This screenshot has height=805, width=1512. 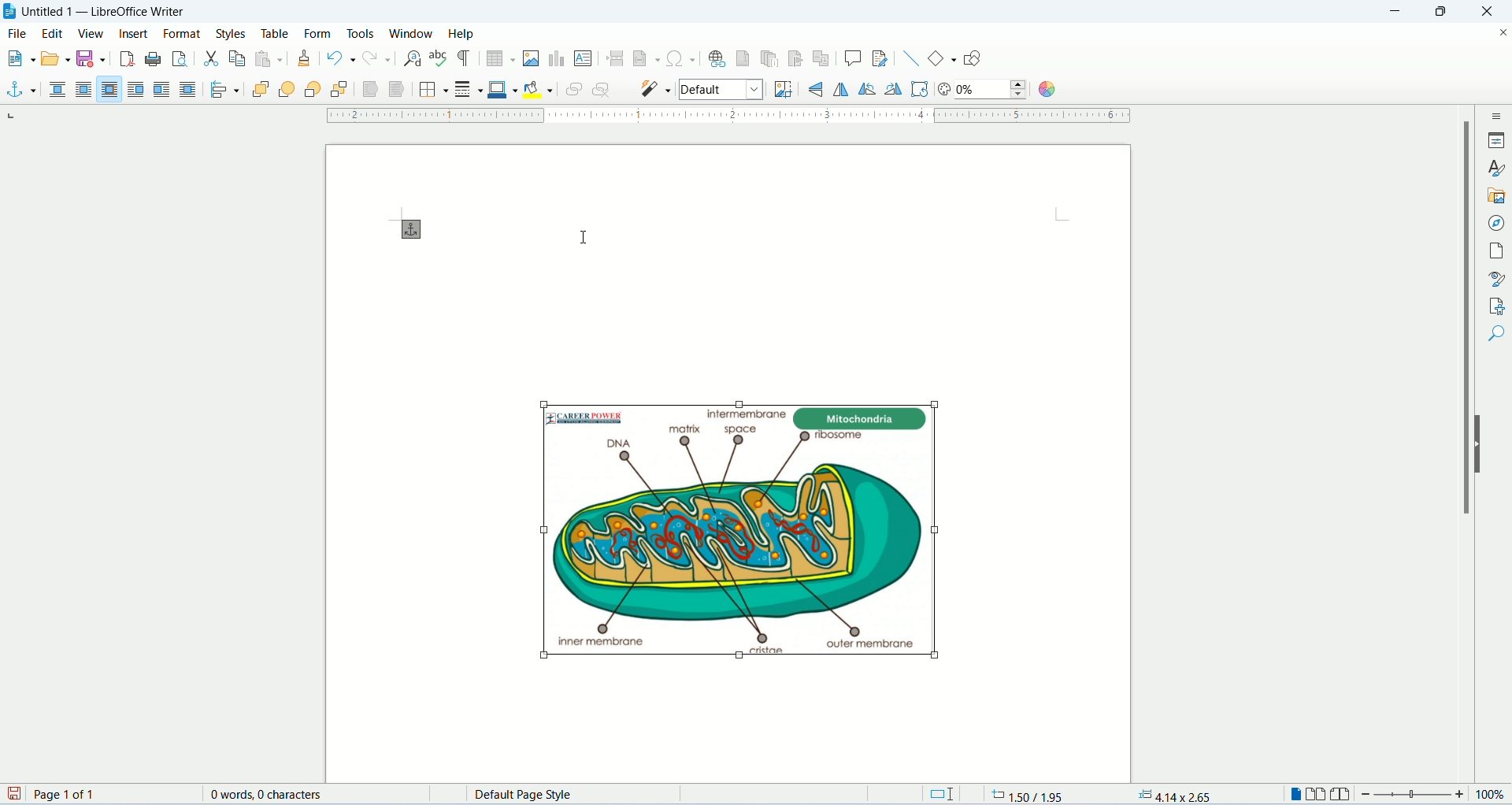 What do you see at coordinates (944, 91) in the screenshot?
I see `transparency` at bounding box center [944, 91].